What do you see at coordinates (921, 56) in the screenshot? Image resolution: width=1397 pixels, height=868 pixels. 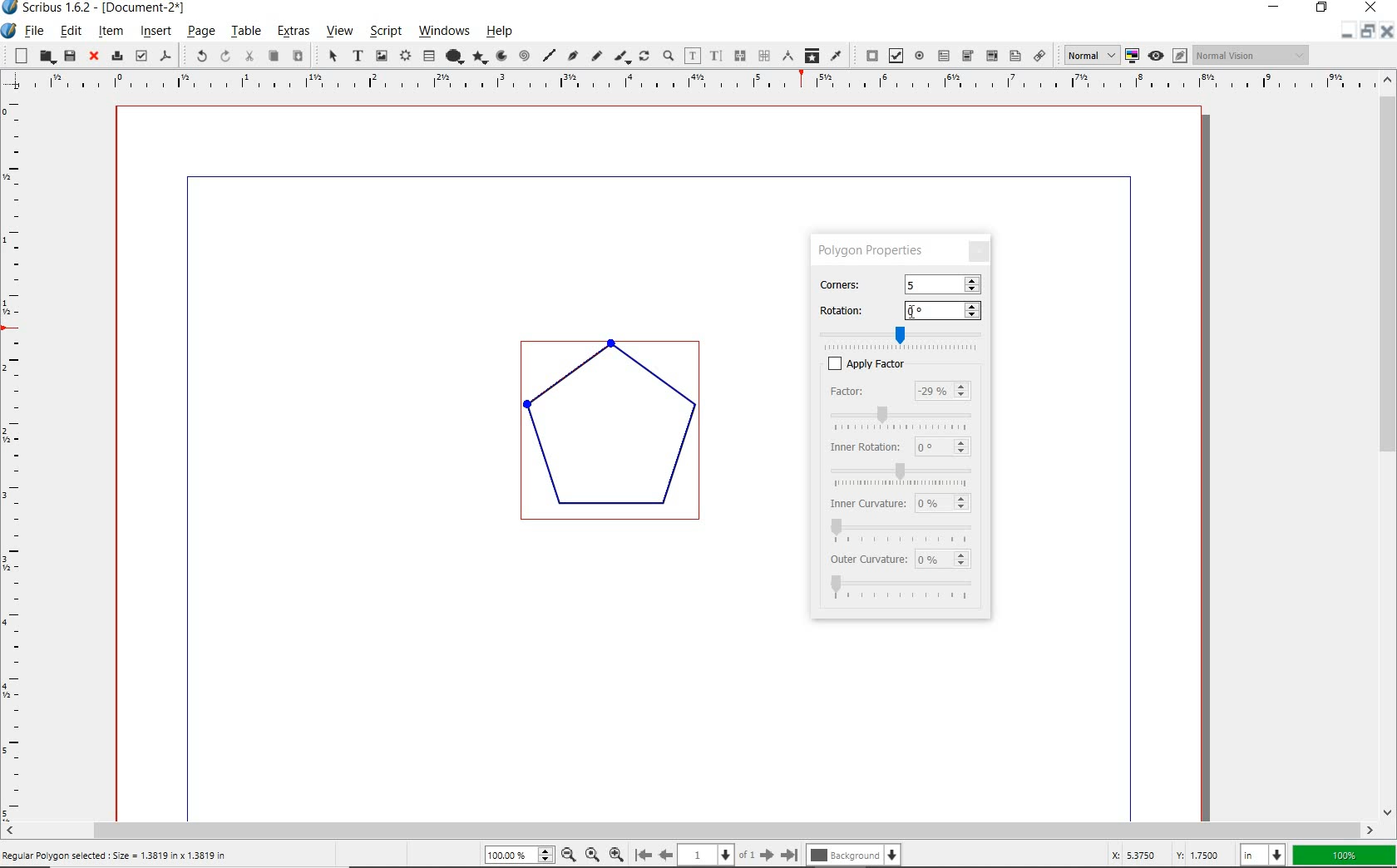 I see `pdf radio button` at bounding box center [921, 56].